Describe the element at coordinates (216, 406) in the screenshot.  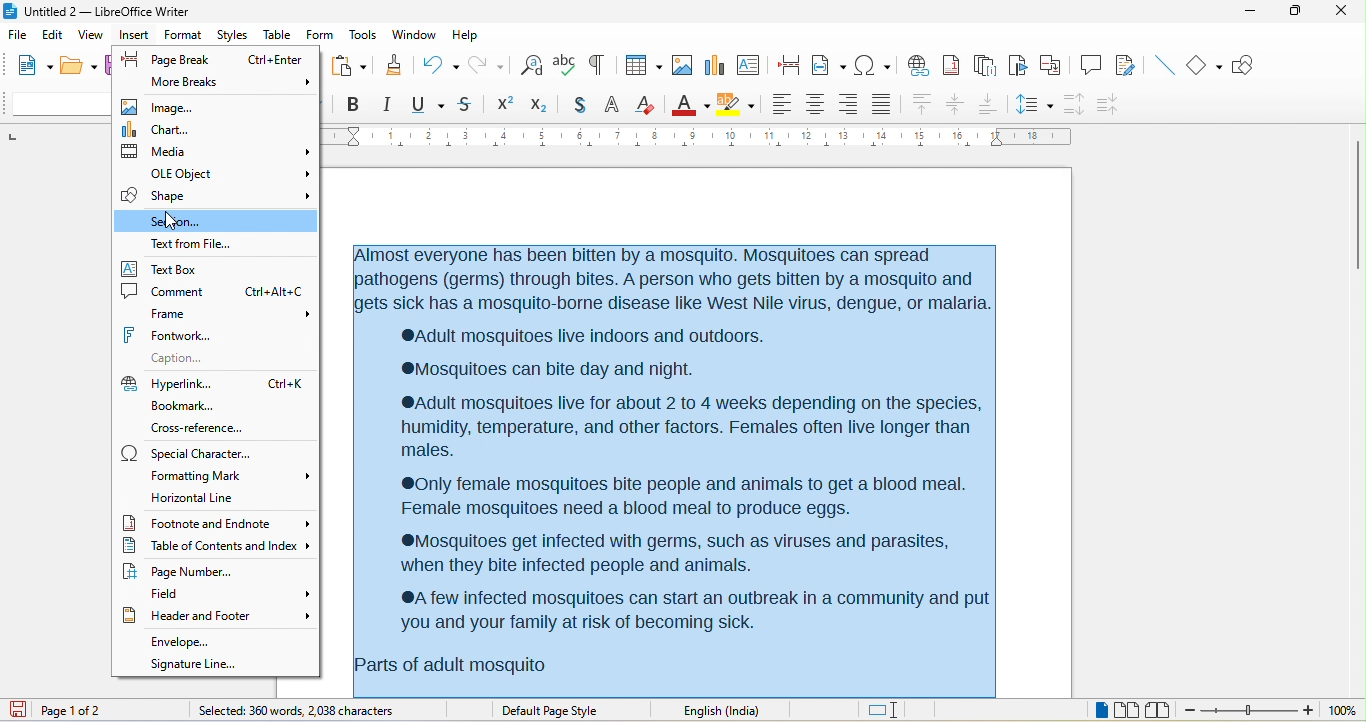
I see `bookmark` at that location.